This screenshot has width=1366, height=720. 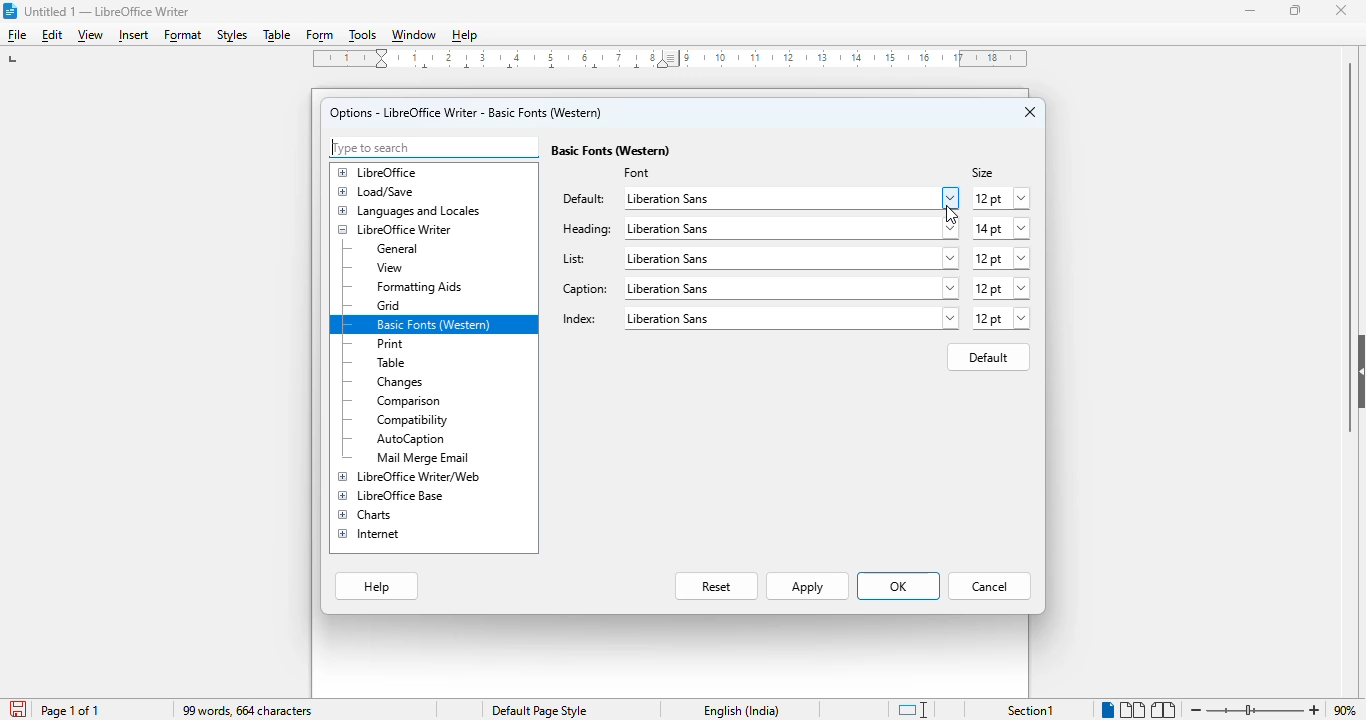 What do you see at coordinates (1001, 318) in the screenshot?
I see `12 pt` at bounding box center [1001, 318].